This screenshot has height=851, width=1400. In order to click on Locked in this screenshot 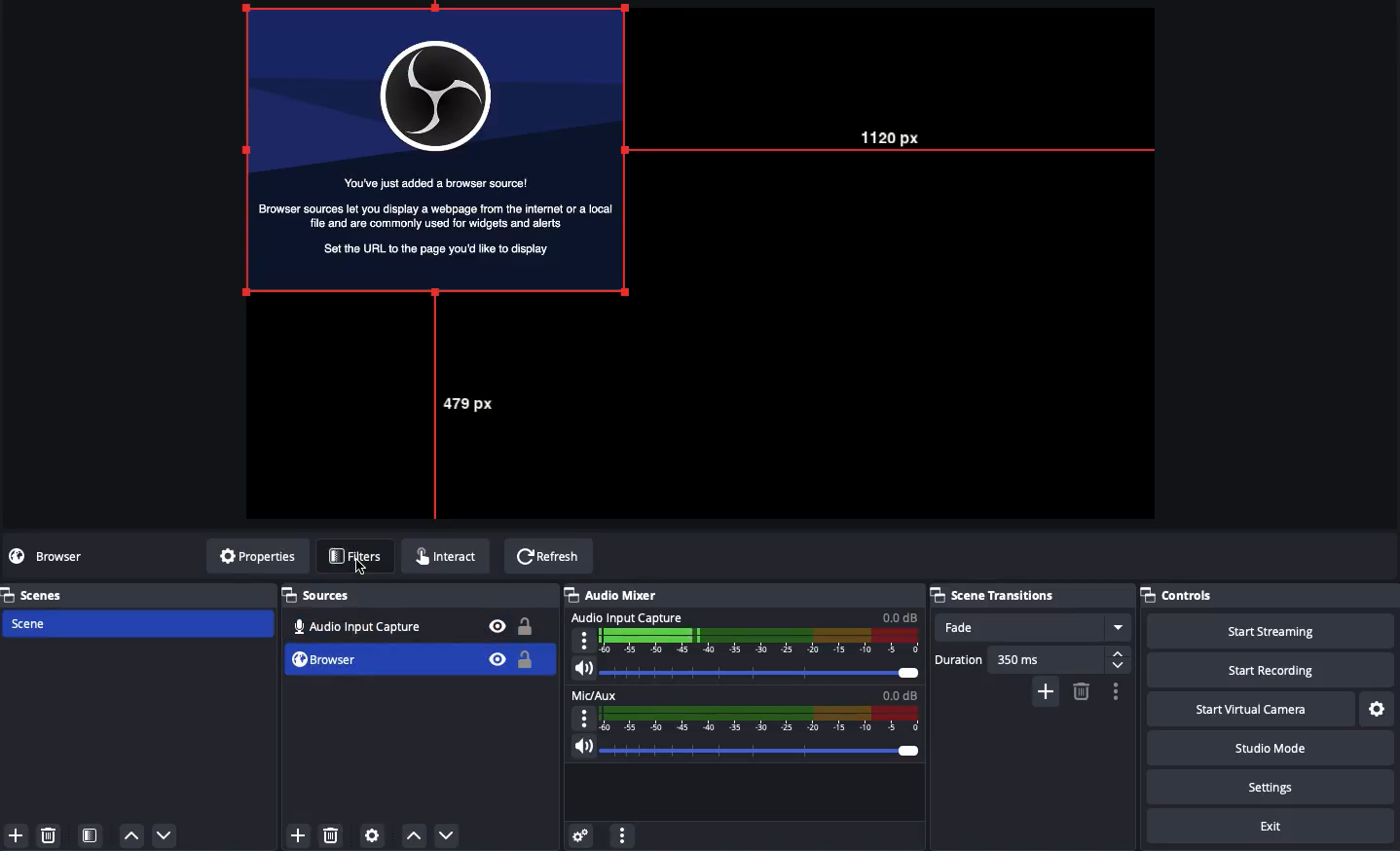, I will do `click(527, 644)`.